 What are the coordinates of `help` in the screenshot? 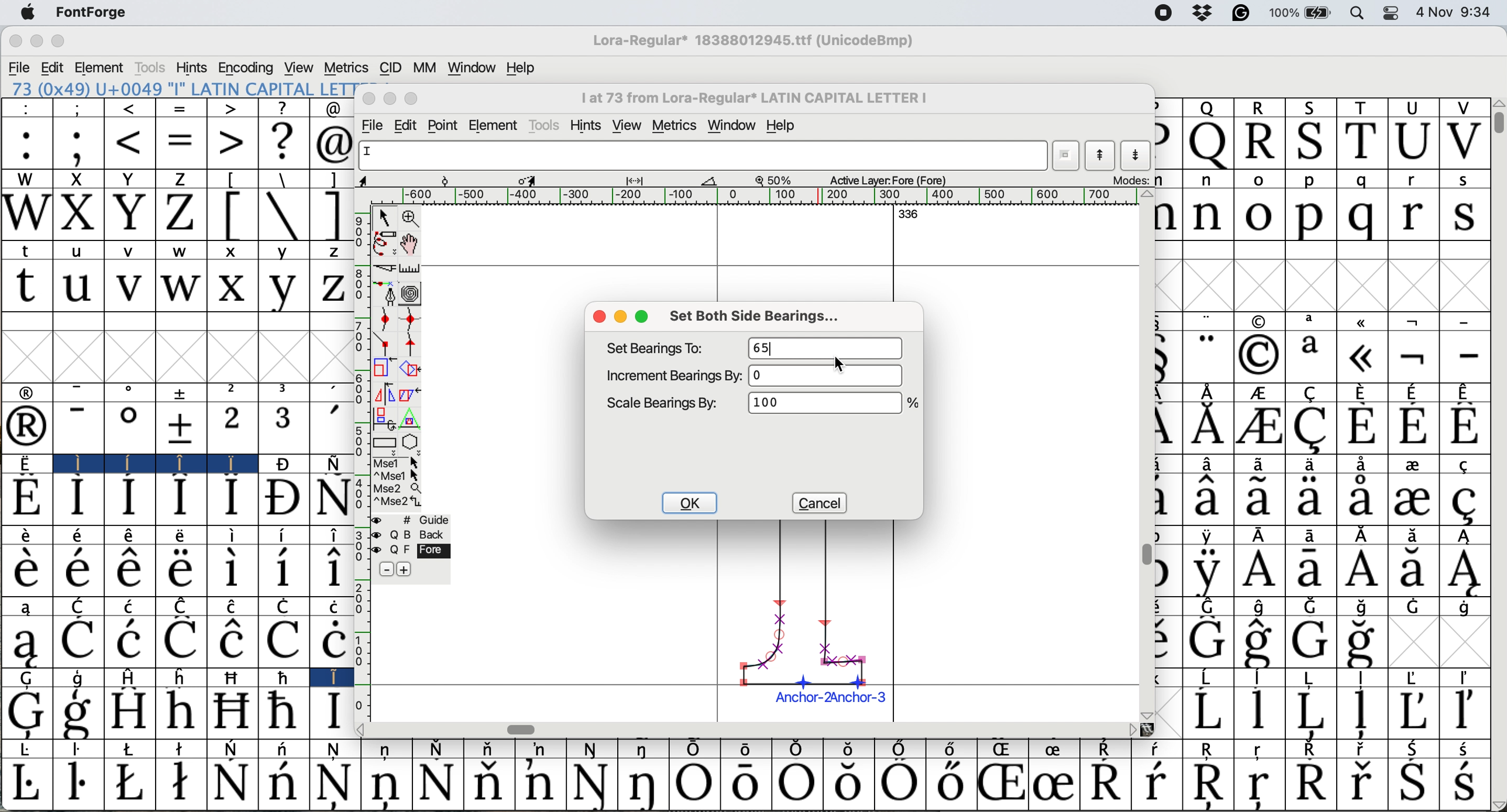 It's located at (519, 68).